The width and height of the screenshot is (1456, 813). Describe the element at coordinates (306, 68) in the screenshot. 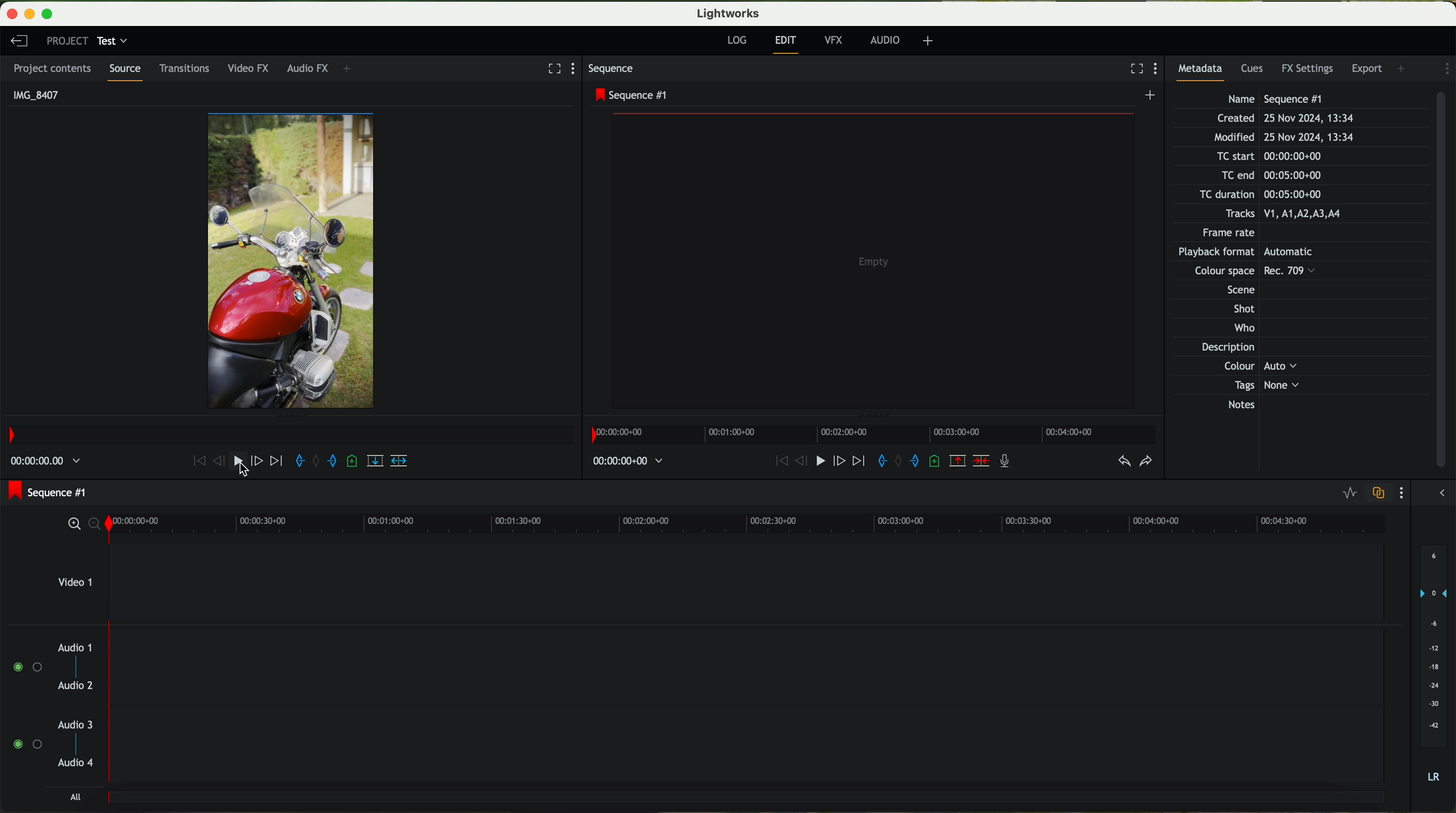

I see `audio FX` at that location.